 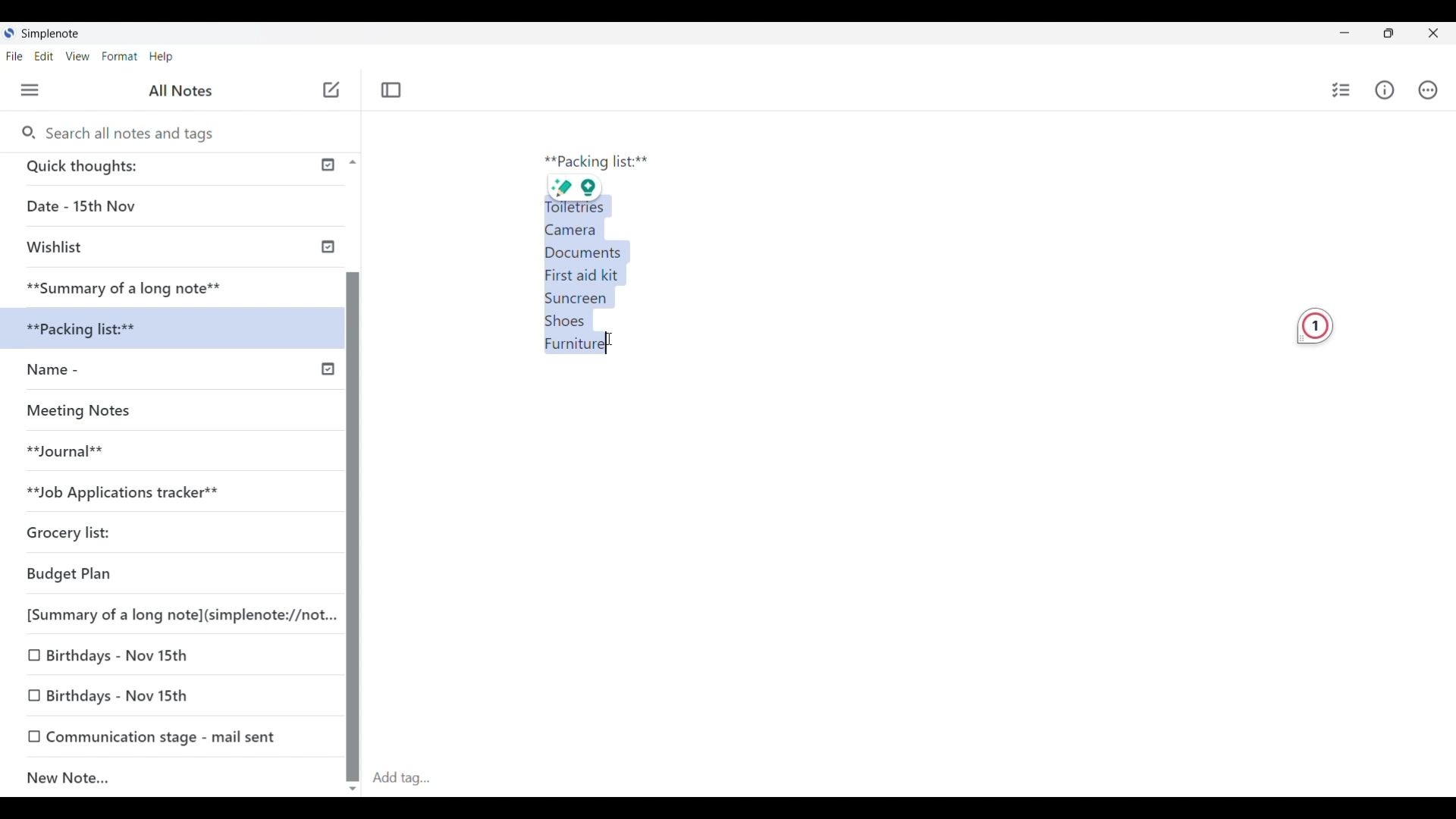 What do you see at coordinates (1389, 33) in the screenshot?
I see `Show interface in a smaller tab` at bounding box center [1389, 33].